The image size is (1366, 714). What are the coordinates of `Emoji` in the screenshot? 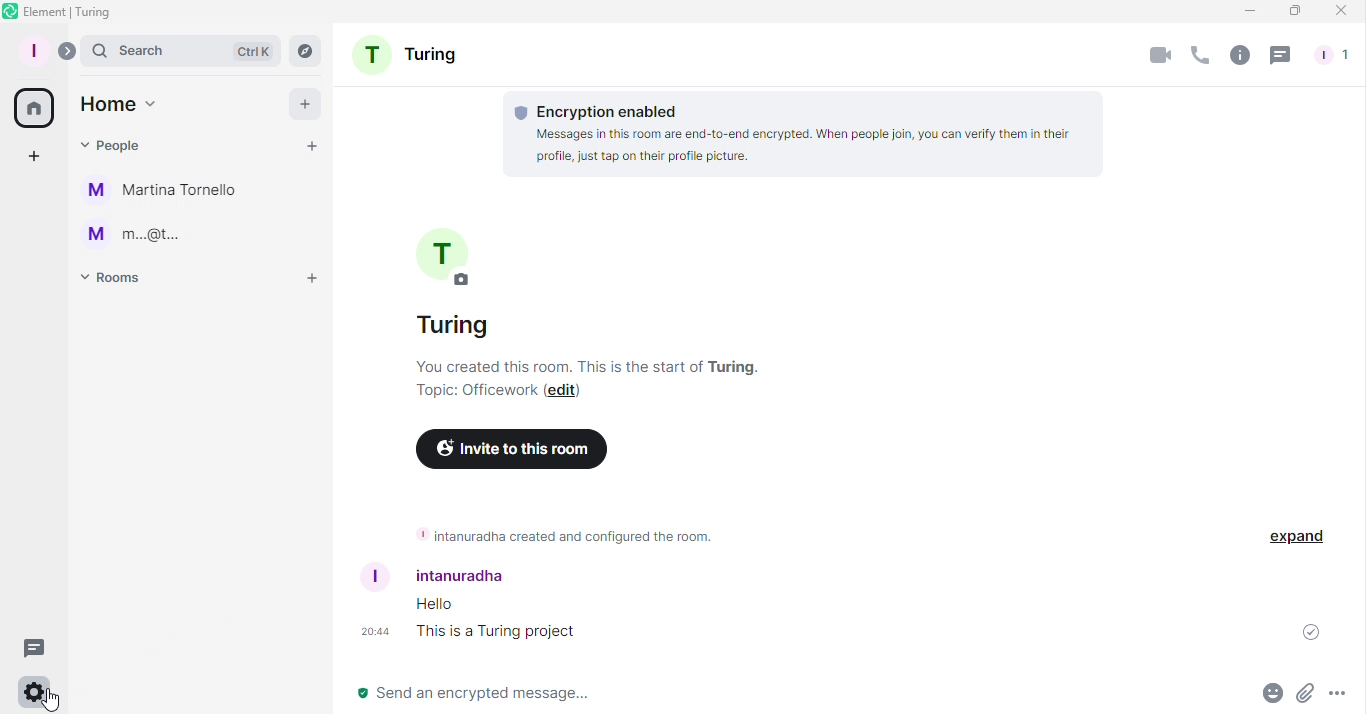 It's located at (1270, 692).